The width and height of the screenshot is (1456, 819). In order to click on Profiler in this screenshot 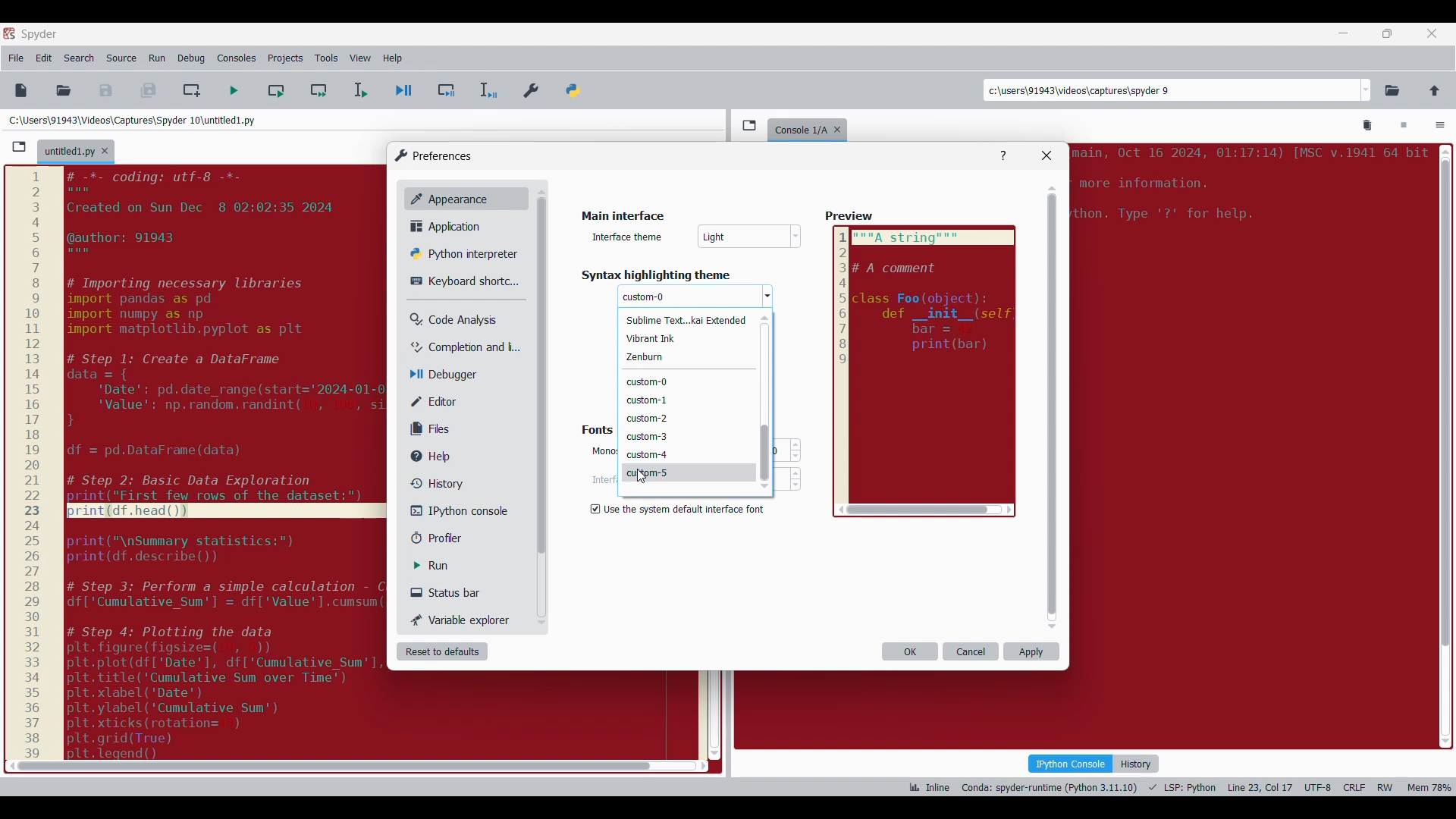, I will do `click(450, 538)`.